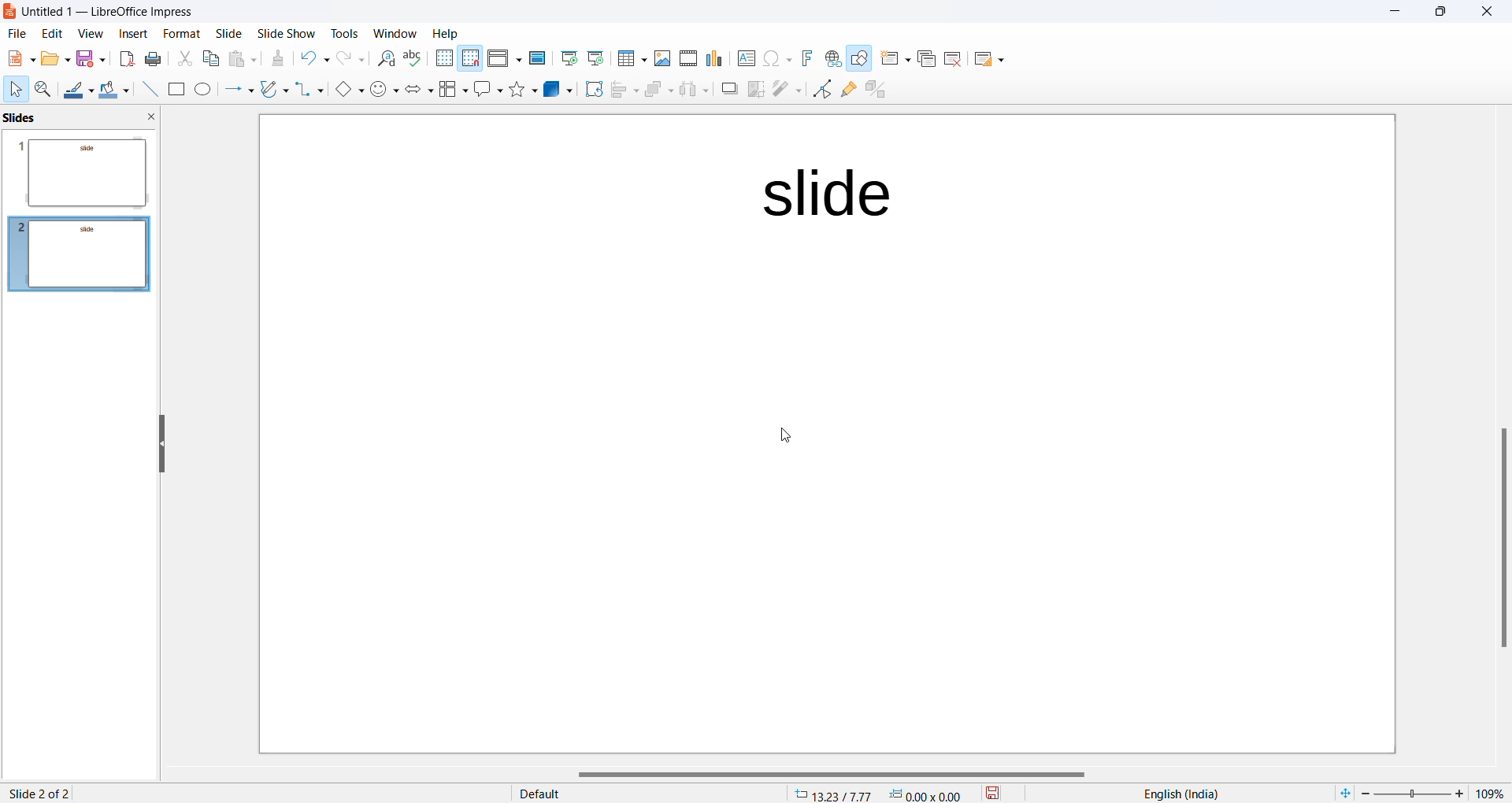 The image size is (1512, 803). Describe the element at coordinates (209, 60) in the screenshot. I see `Copy` at that location.